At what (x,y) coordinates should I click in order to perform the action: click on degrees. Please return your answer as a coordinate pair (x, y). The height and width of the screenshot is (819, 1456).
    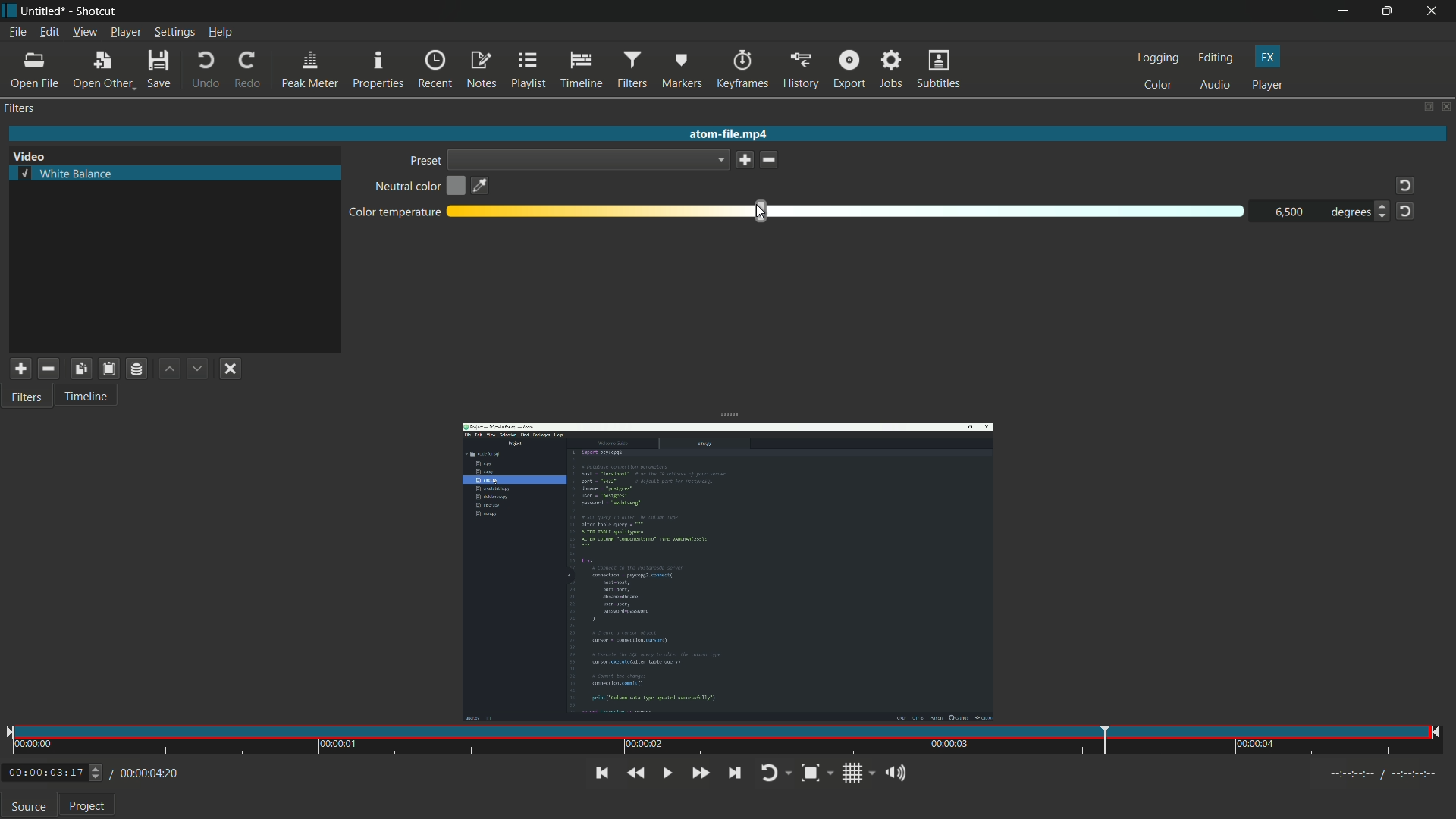
    Looking at the image, I should click on (1346, 212).